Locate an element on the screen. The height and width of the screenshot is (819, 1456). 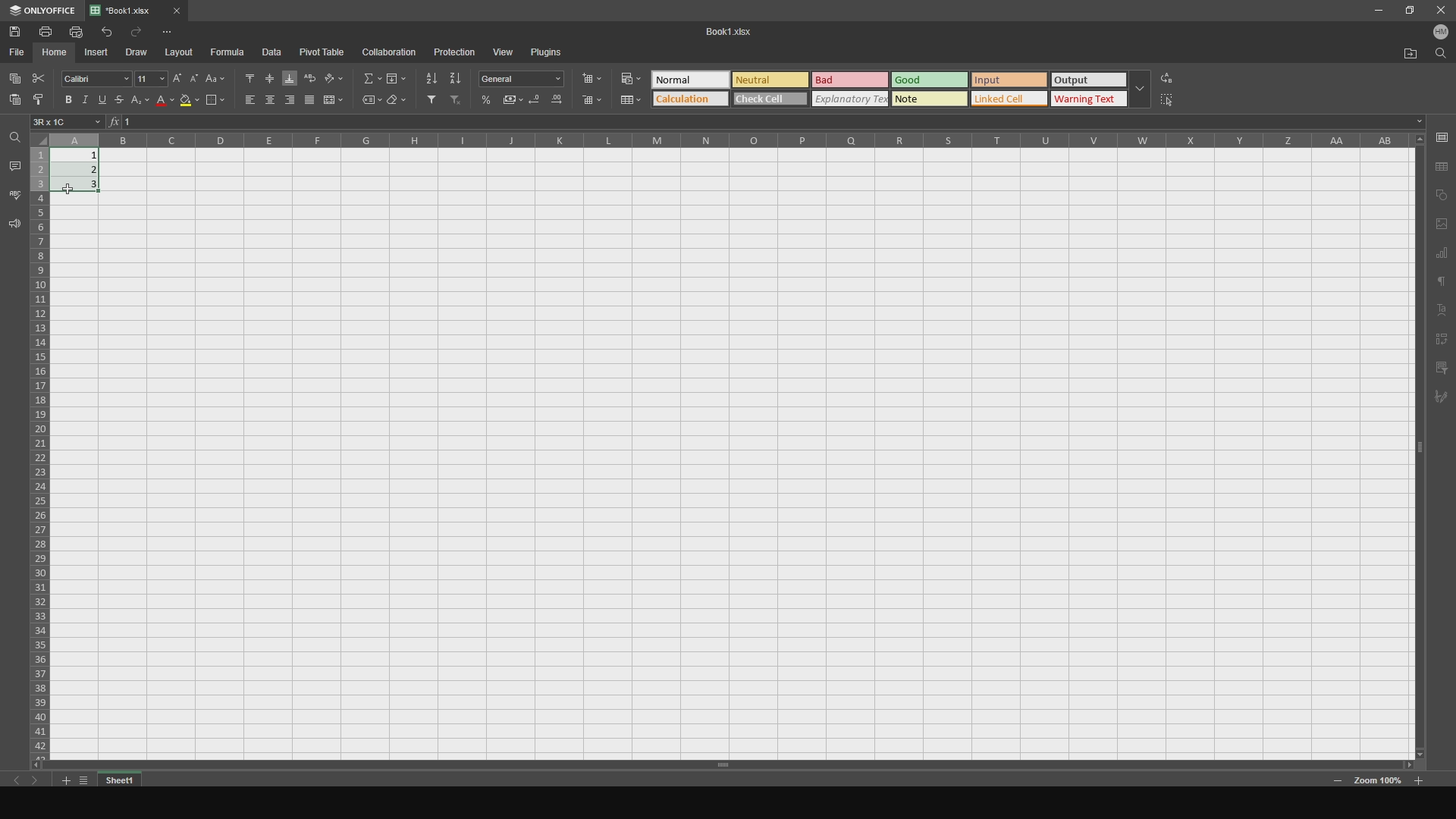
options is located at coordinates (180, 28).